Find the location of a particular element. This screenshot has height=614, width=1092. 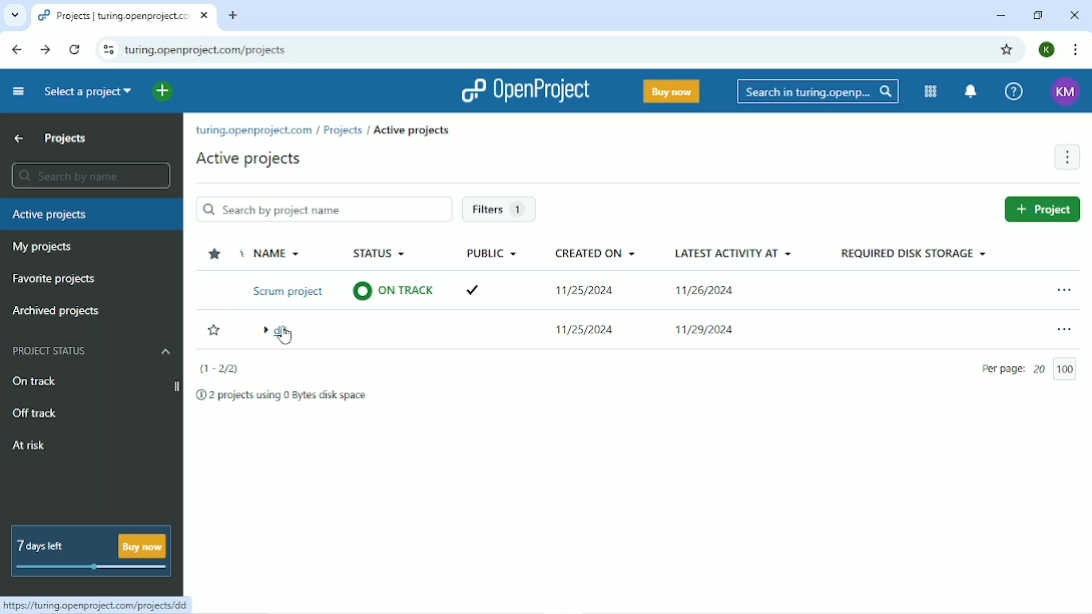

Open menu is located at coordinates (1061, 288).